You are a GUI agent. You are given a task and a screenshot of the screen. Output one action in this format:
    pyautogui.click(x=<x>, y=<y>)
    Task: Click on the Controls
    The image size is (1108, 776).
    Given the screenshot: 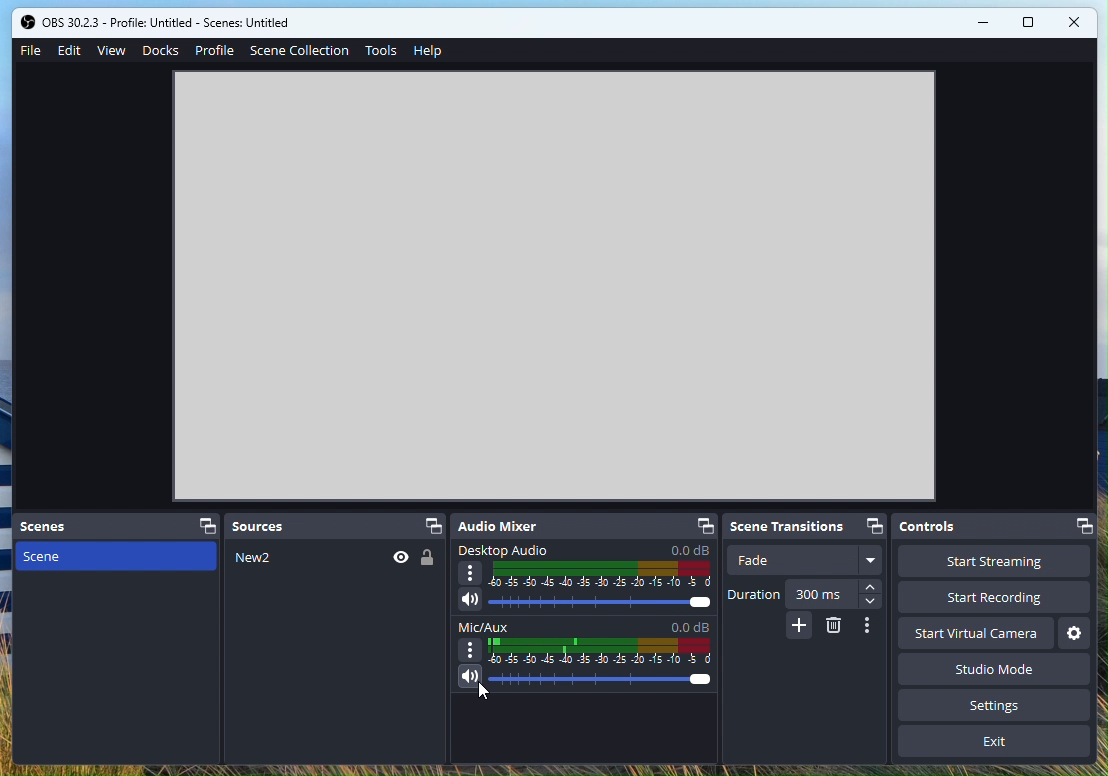 What is the action you would take?
    pyautogui.click(x=996, y=526)
    